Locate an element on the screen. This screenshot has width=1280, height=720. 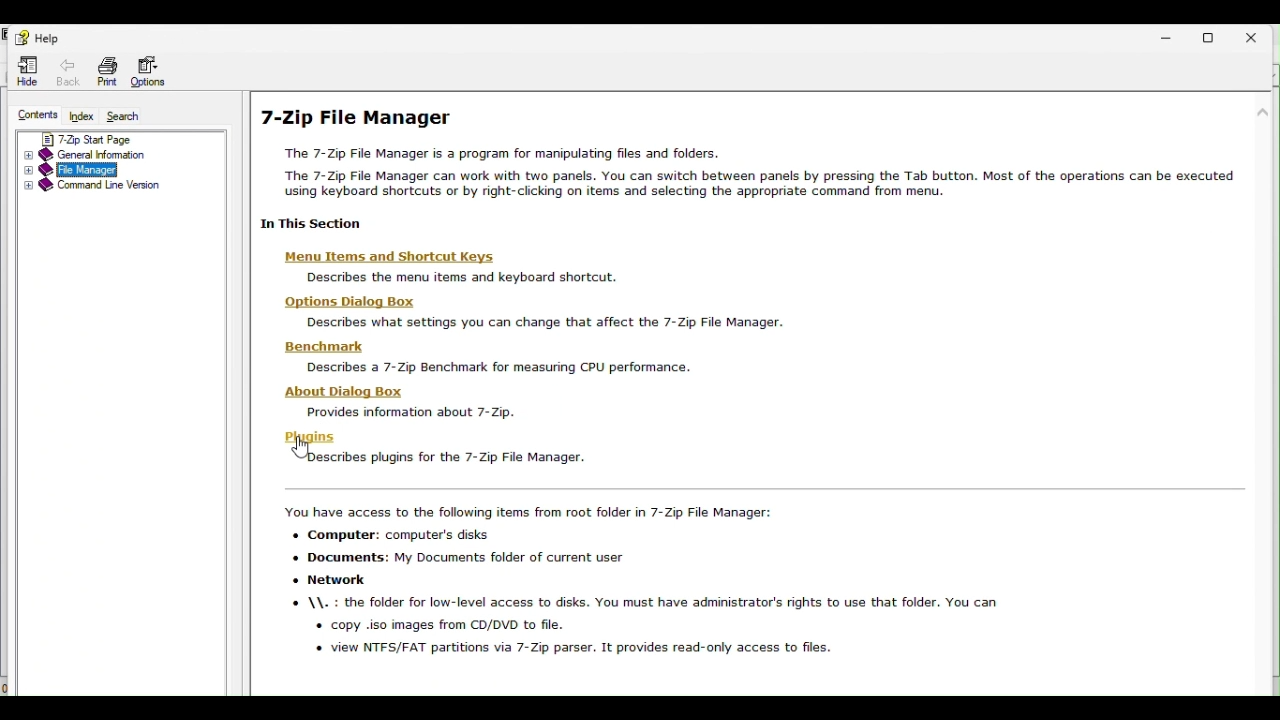
Provides mformation about 7-Zip. is located at coordinates (411, 413).